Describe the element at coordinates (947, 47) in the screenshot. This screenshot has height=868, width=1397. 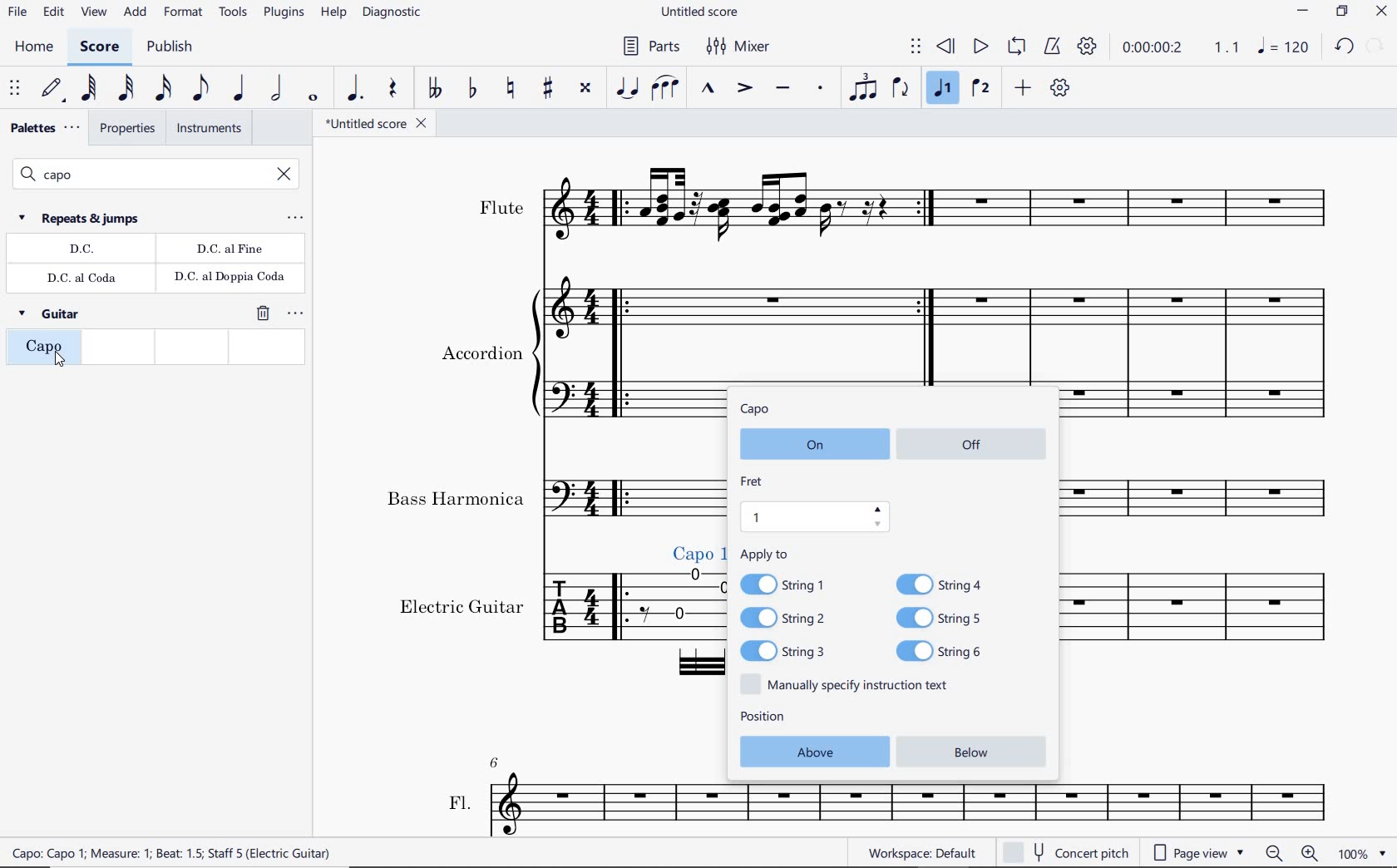
I see `rewind` at that location.